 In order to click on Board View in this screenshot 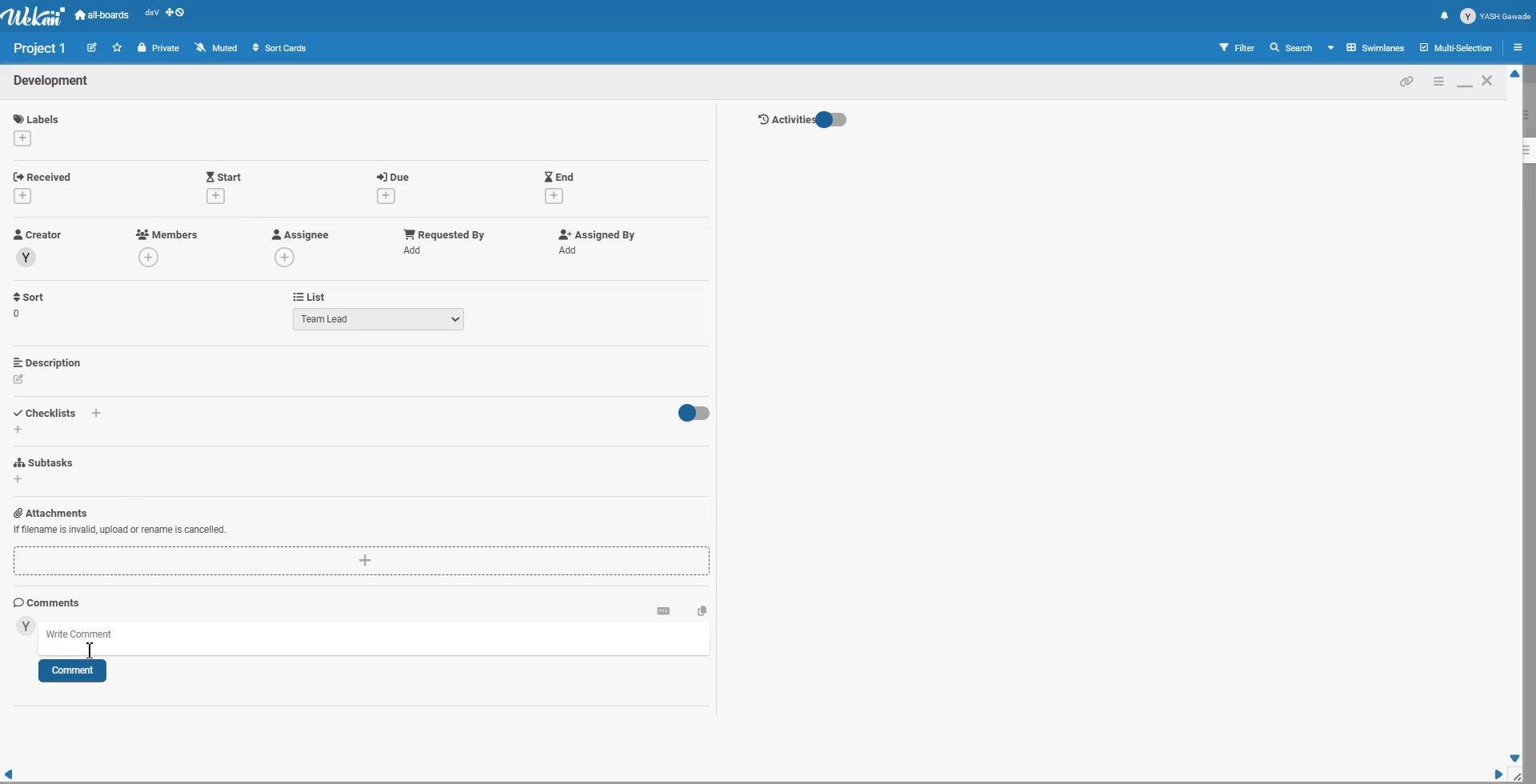, I will do `click(1367, 47)`.